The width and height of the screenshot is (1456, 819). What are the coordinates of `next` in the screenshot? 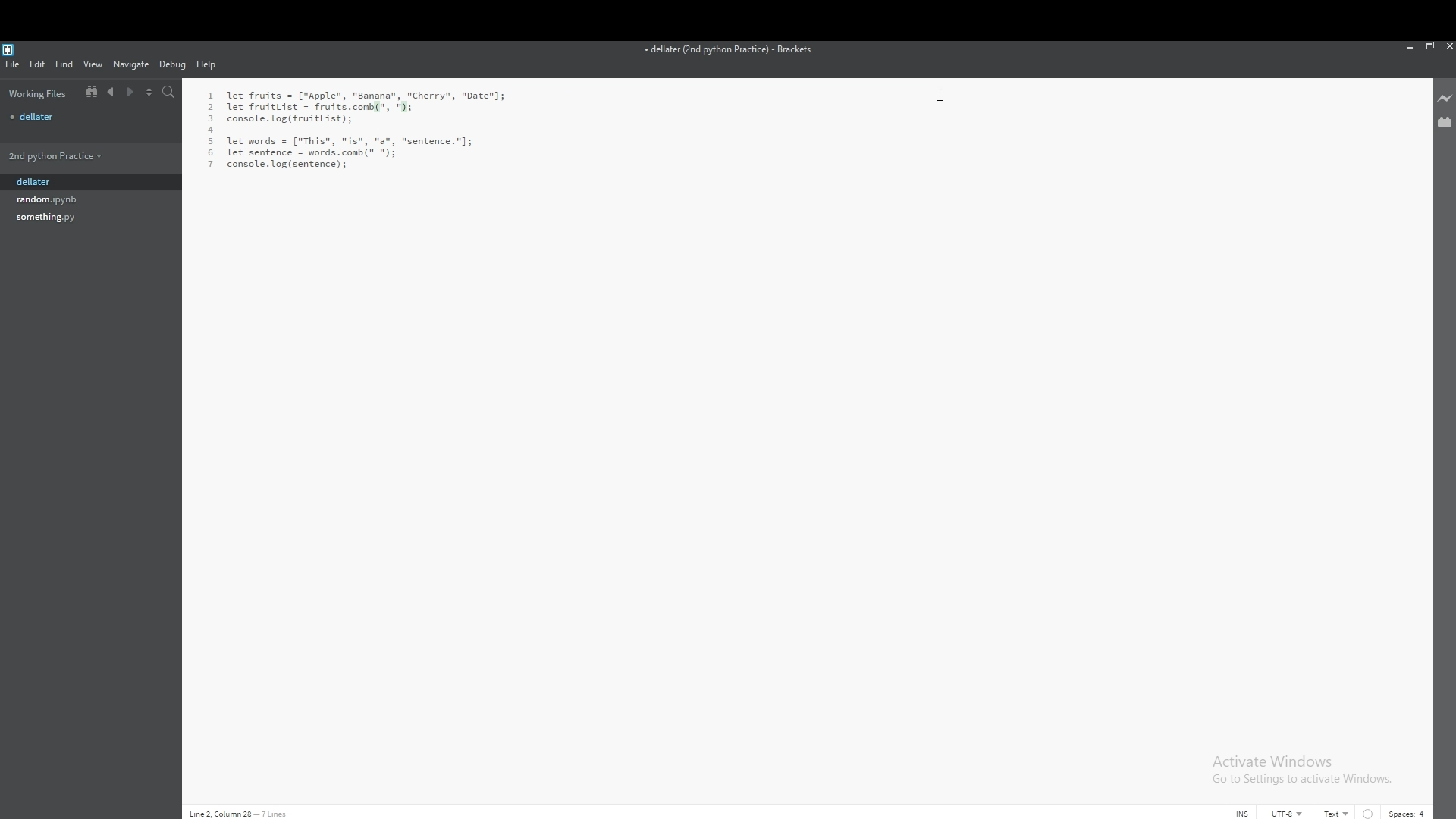 It's located at (130, 93).